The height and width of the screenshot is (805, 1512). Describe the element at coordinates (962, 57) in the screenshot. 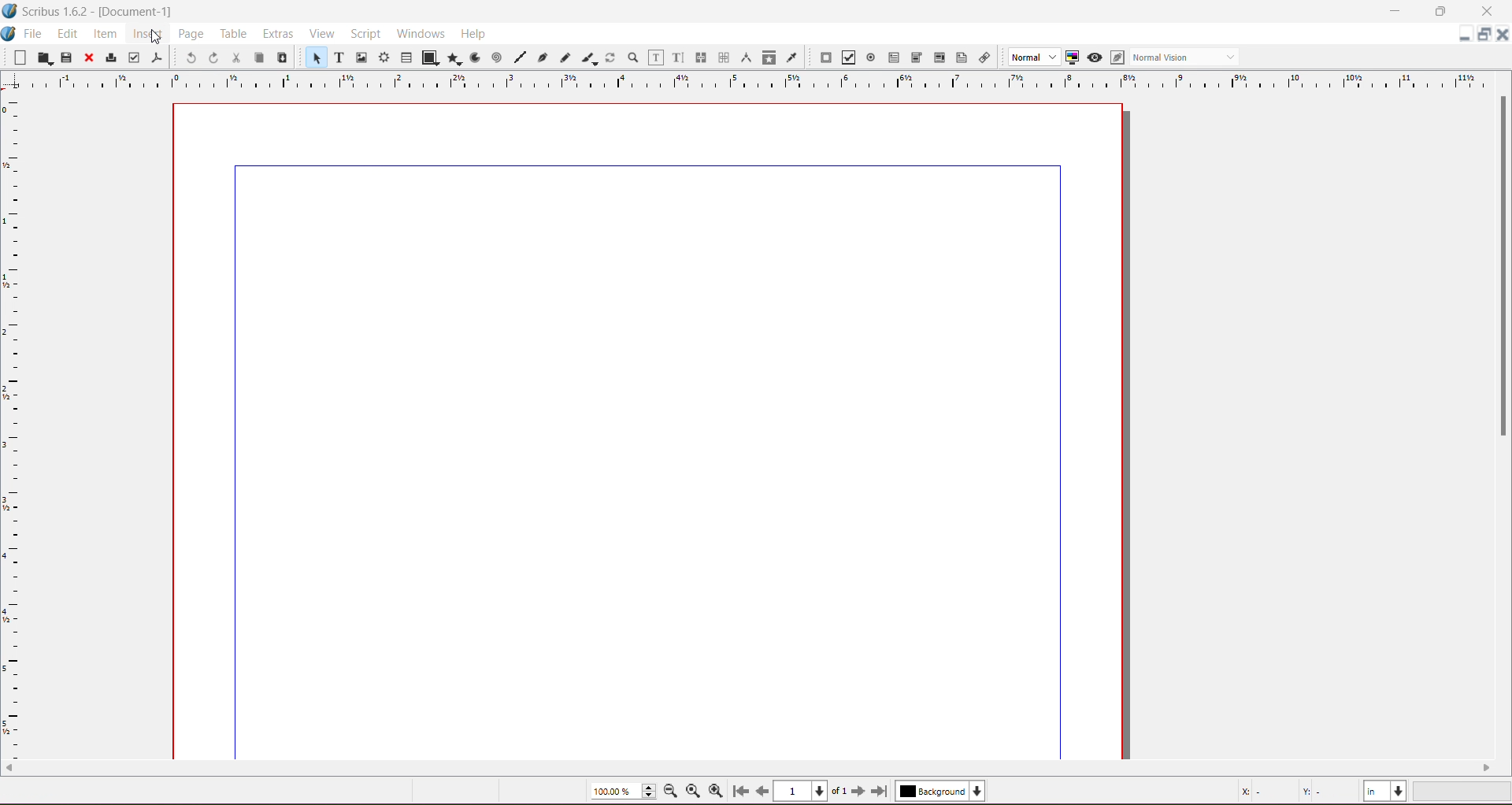

I see `Text Annotation` at that location.